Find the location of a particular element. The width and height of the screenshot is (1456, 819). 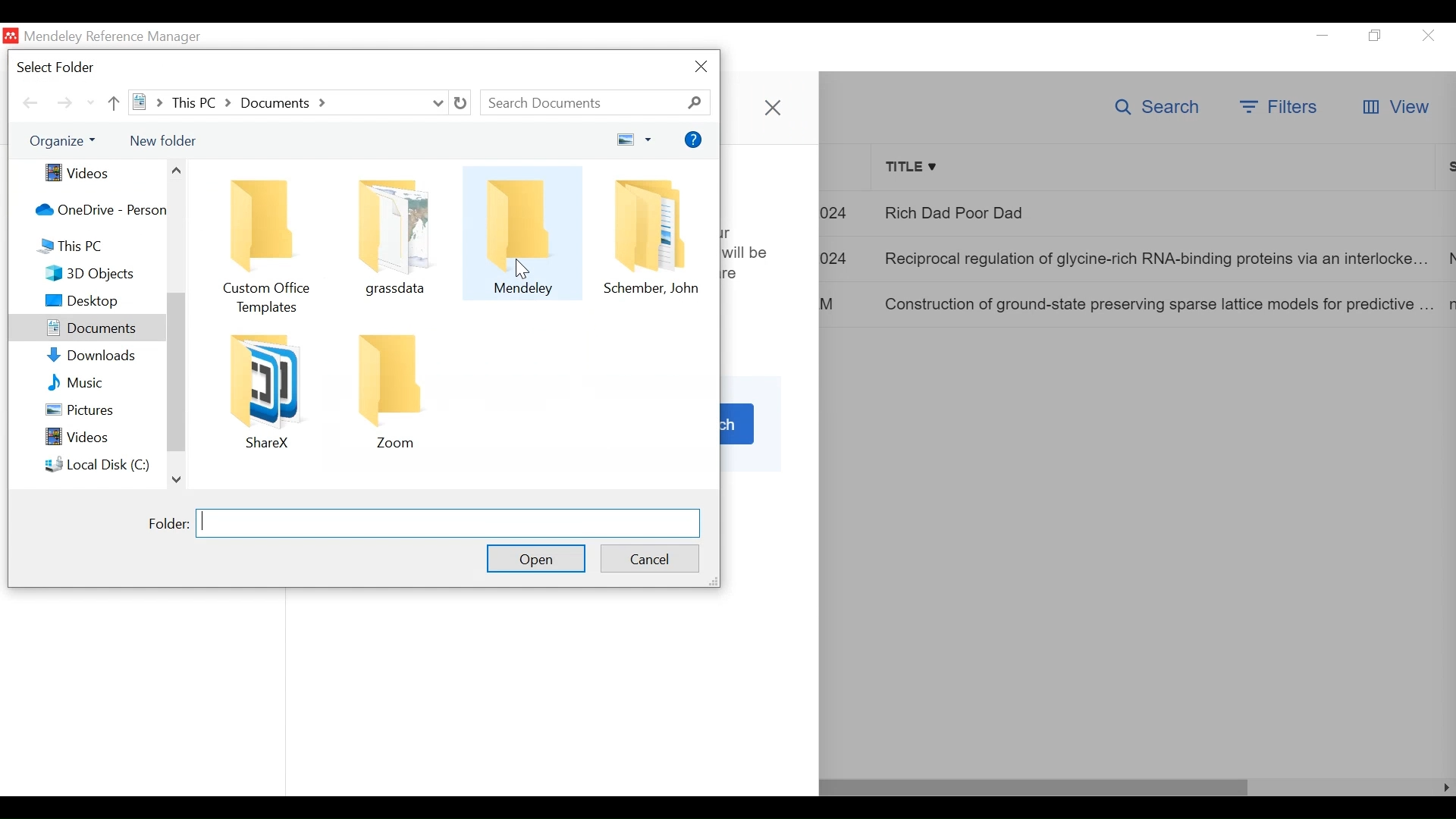

 is located at coordinates (97, 303).